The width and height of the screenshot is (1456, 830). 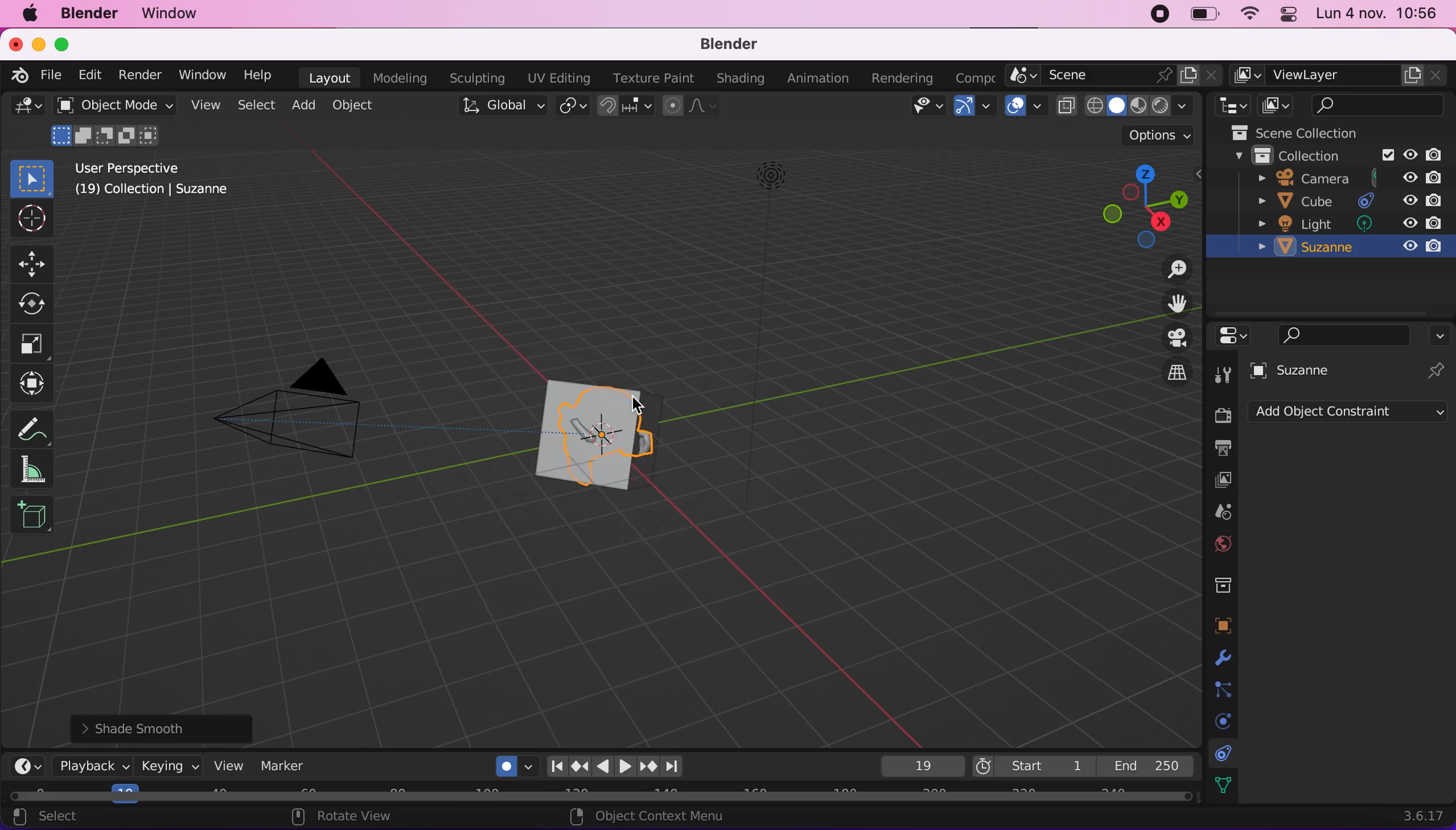 What do you see at coordinates (1221, 372) in the screenshot?
I see `tool` at bounding box center [1221, 372].